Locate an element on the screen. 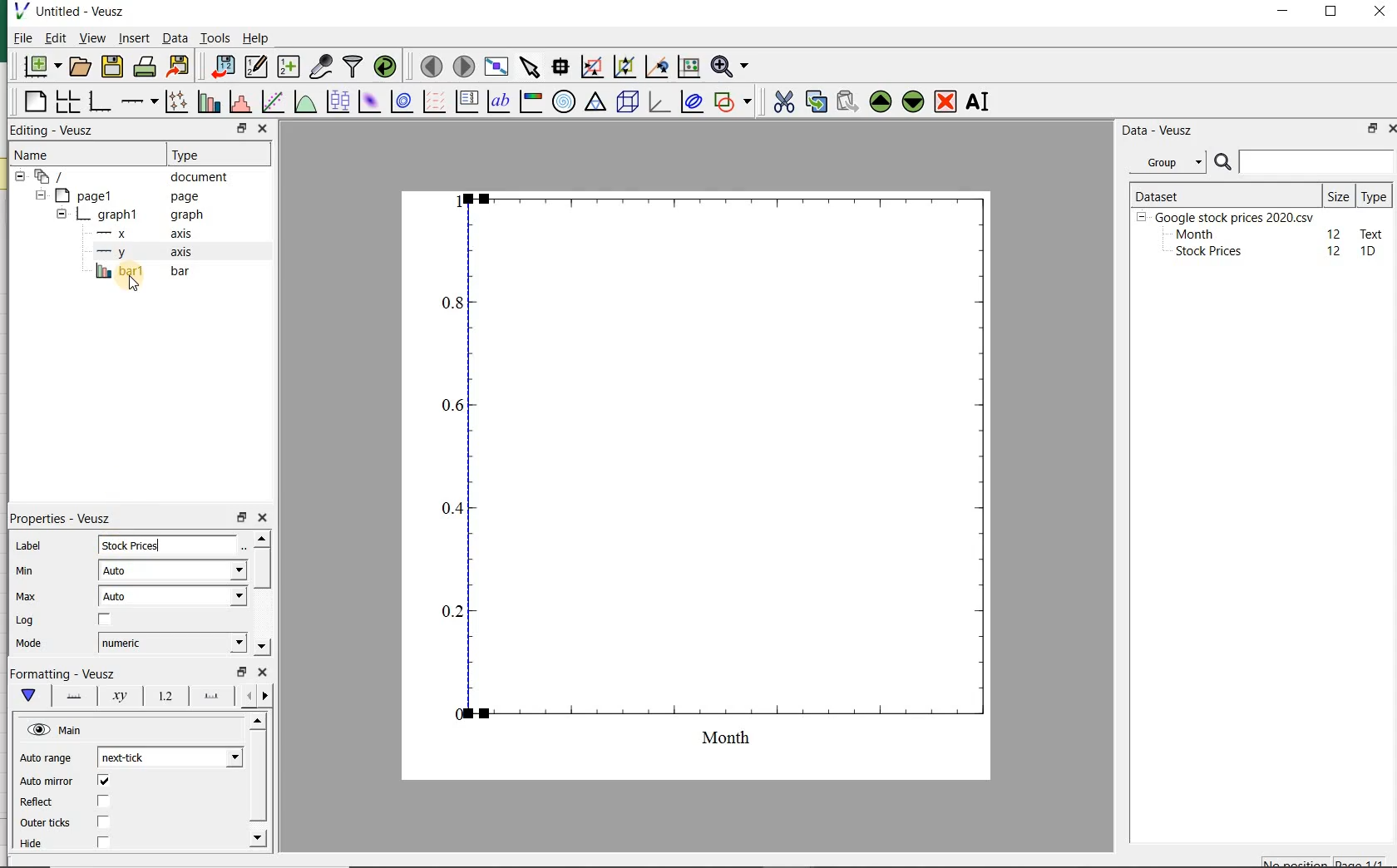 Image resolution: width=1397 pixels, height=868 pixels. close is located at coordinates (1380, 12).